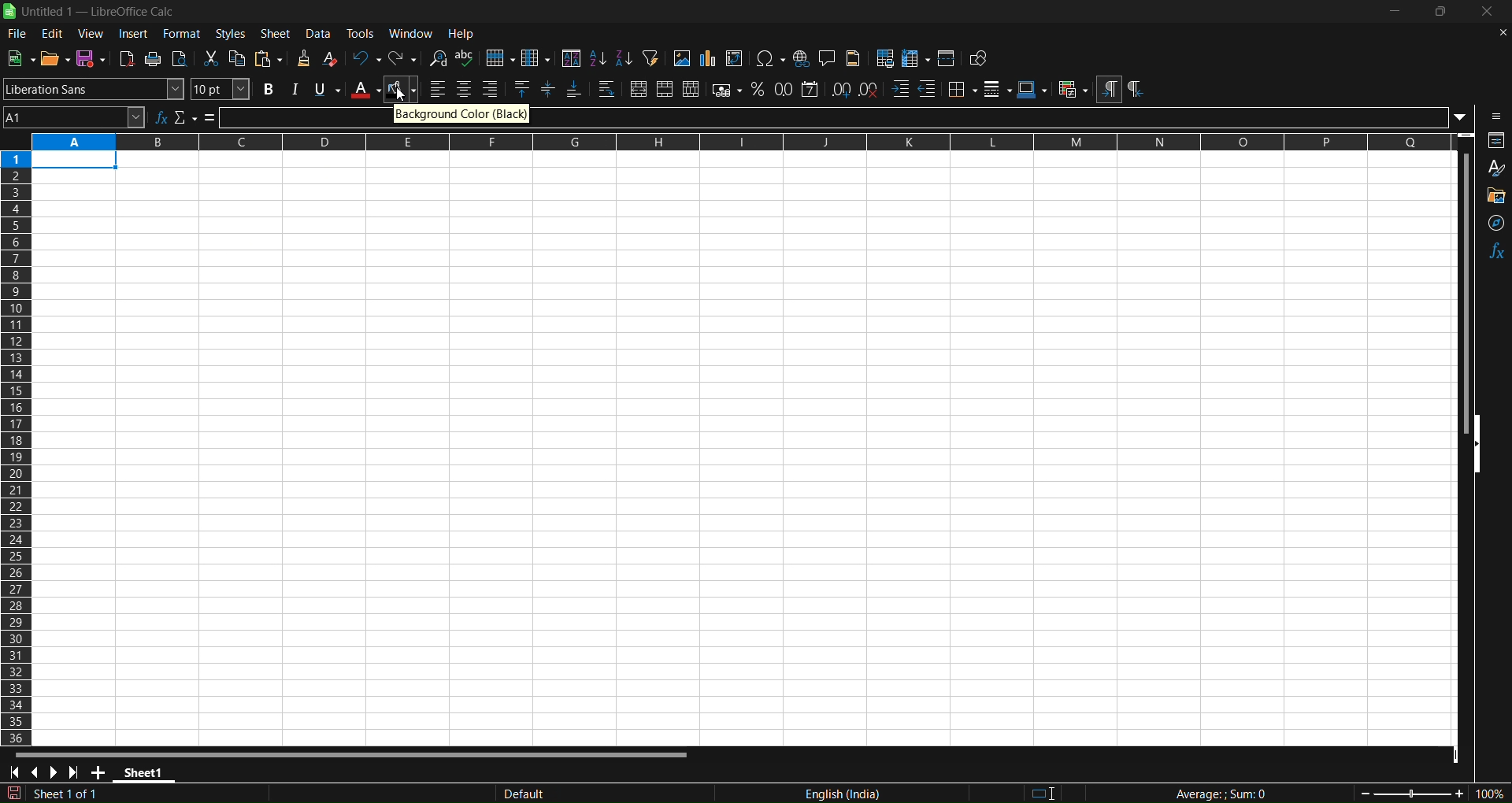 This screenshot has height=803, width=1512. What do you see at coordinates (57, 57) in the screenshot?
I see `open` at bounding box center [57, 57].